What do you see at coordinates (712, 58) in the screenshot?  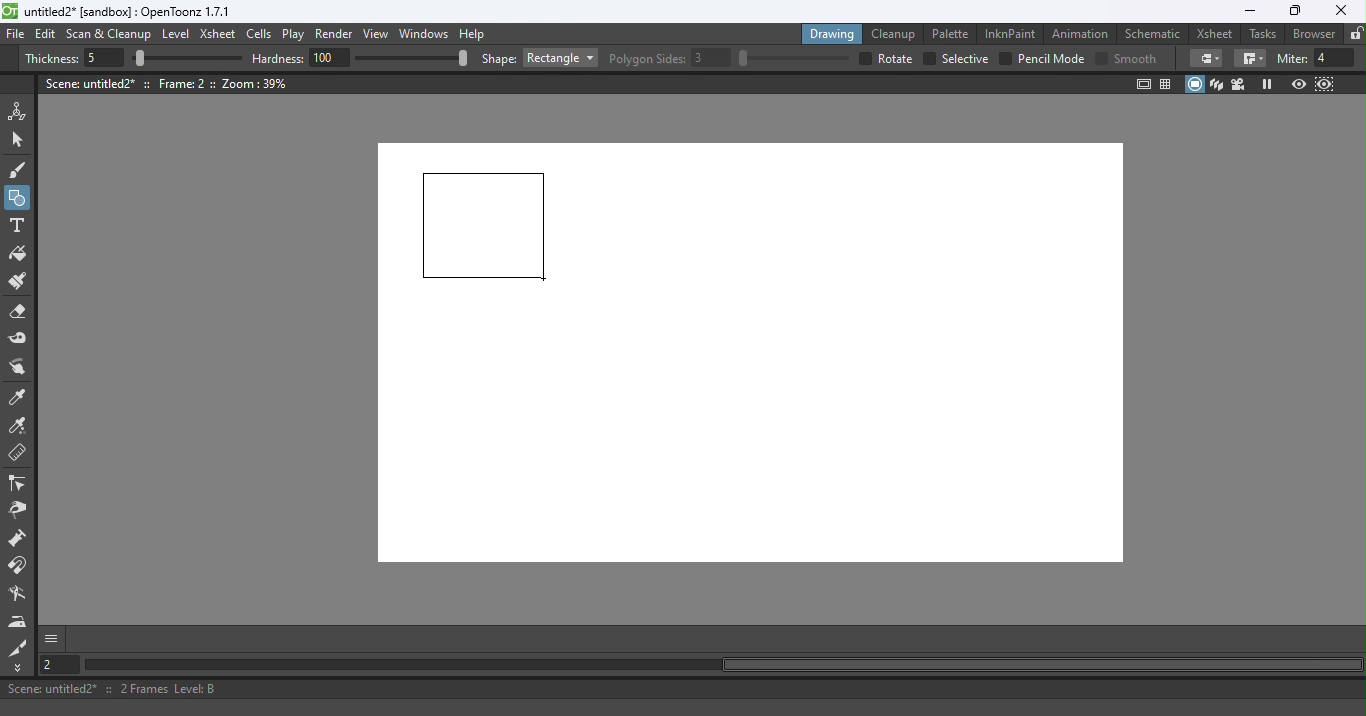 I see `3` at bounding box center [712, 58].